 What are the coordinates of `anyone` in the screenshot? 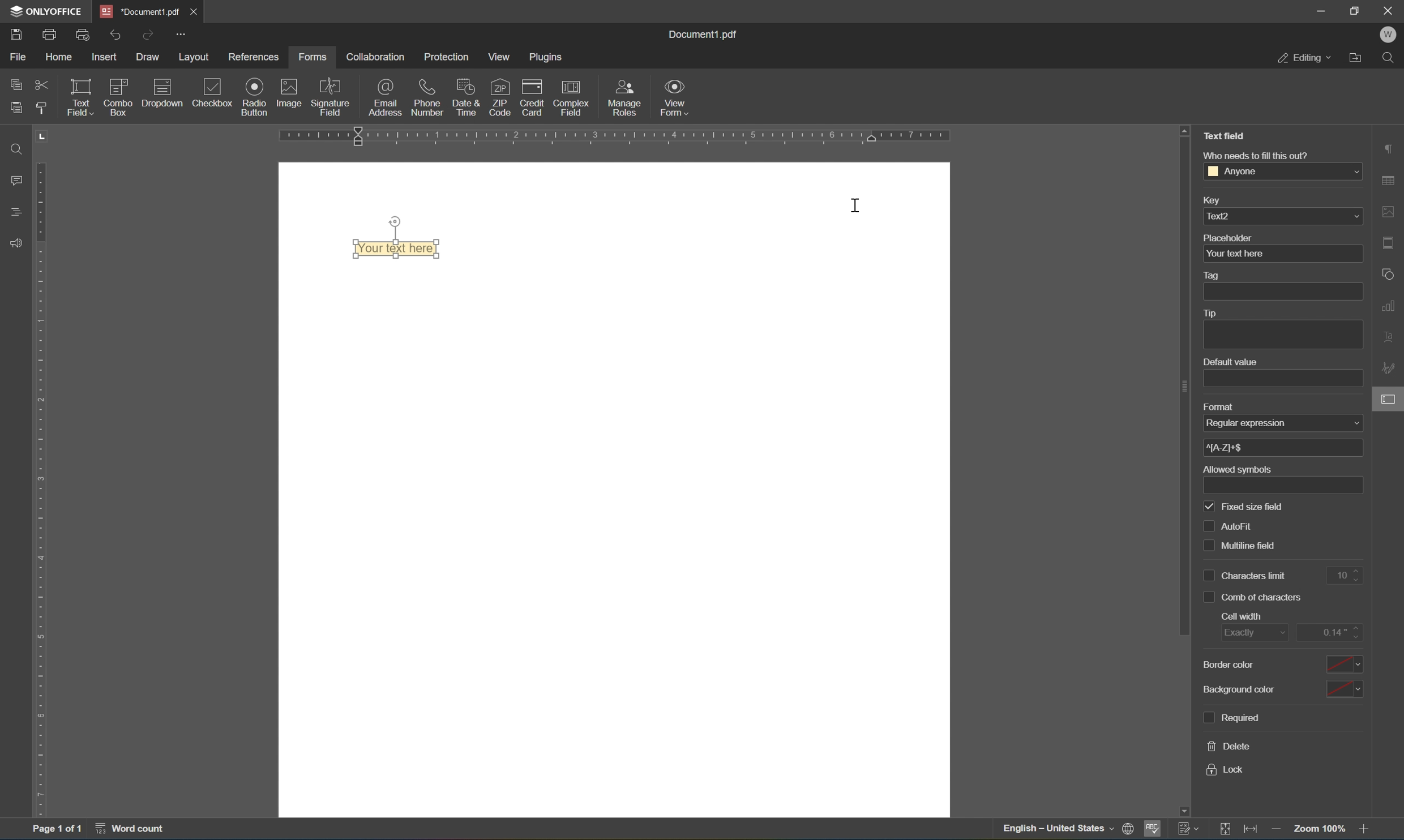 It's located at (1281, 171).